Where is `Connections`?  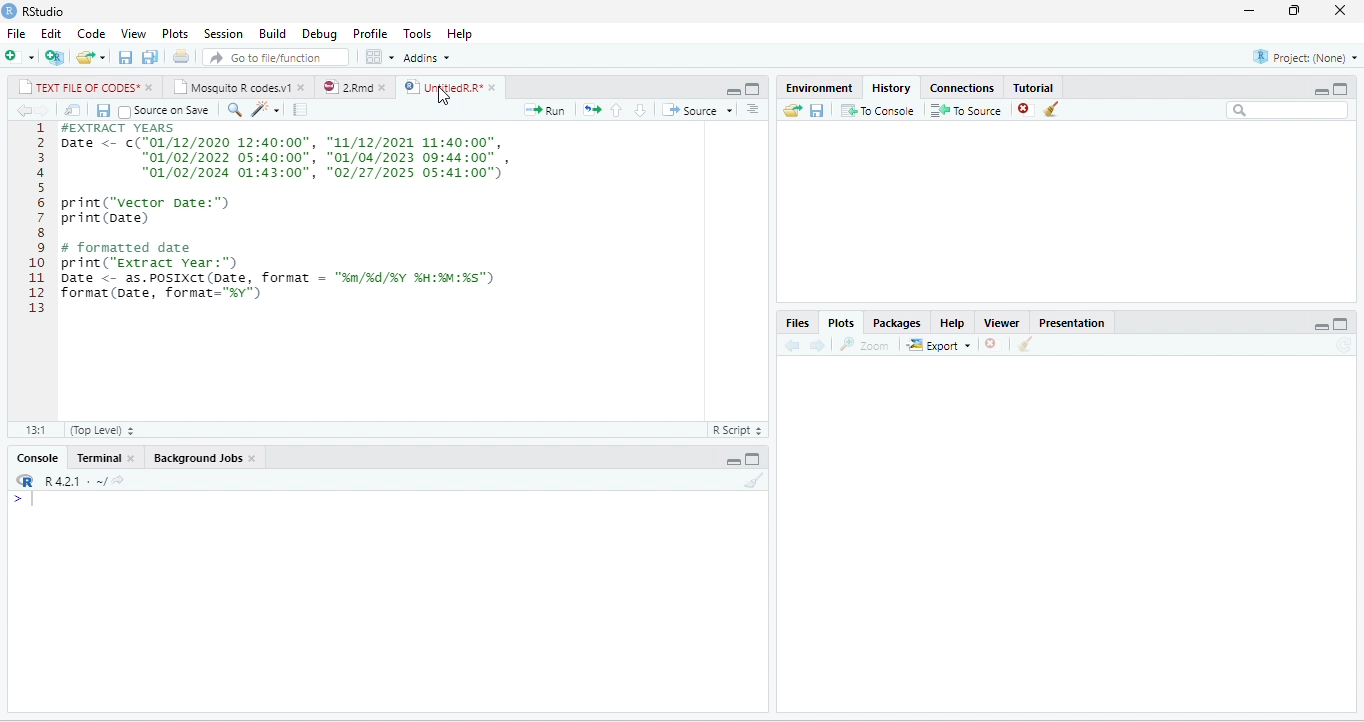 Connections is located at coordinates (963, 89).